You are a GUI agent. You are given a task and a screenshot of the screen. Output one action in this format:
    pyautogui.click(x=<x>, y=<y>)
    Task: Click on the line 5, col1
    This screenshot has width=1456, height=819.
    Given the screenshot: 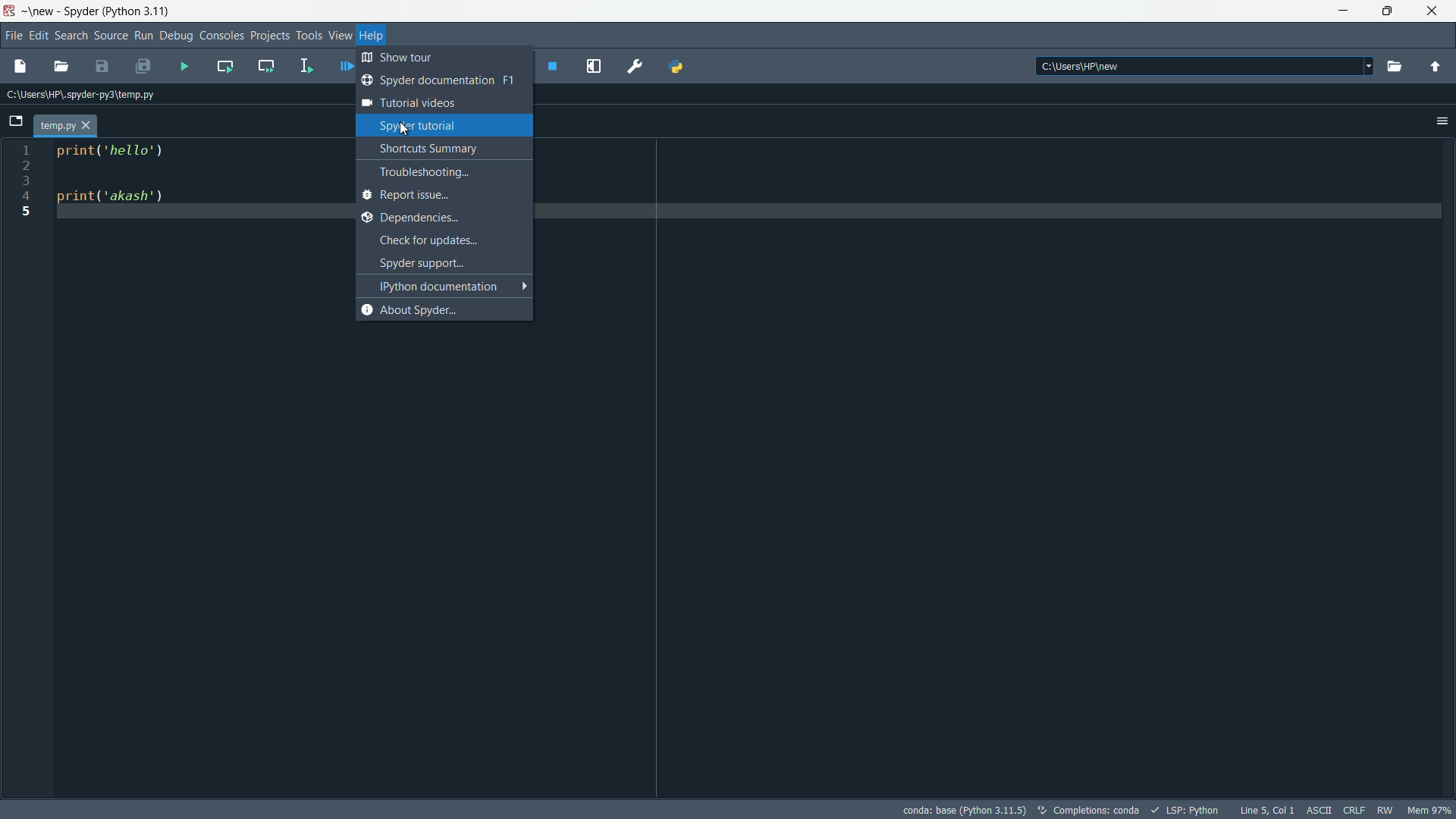 What is the action you would take?
    pyautogui.click(x=1266, y=810)
    